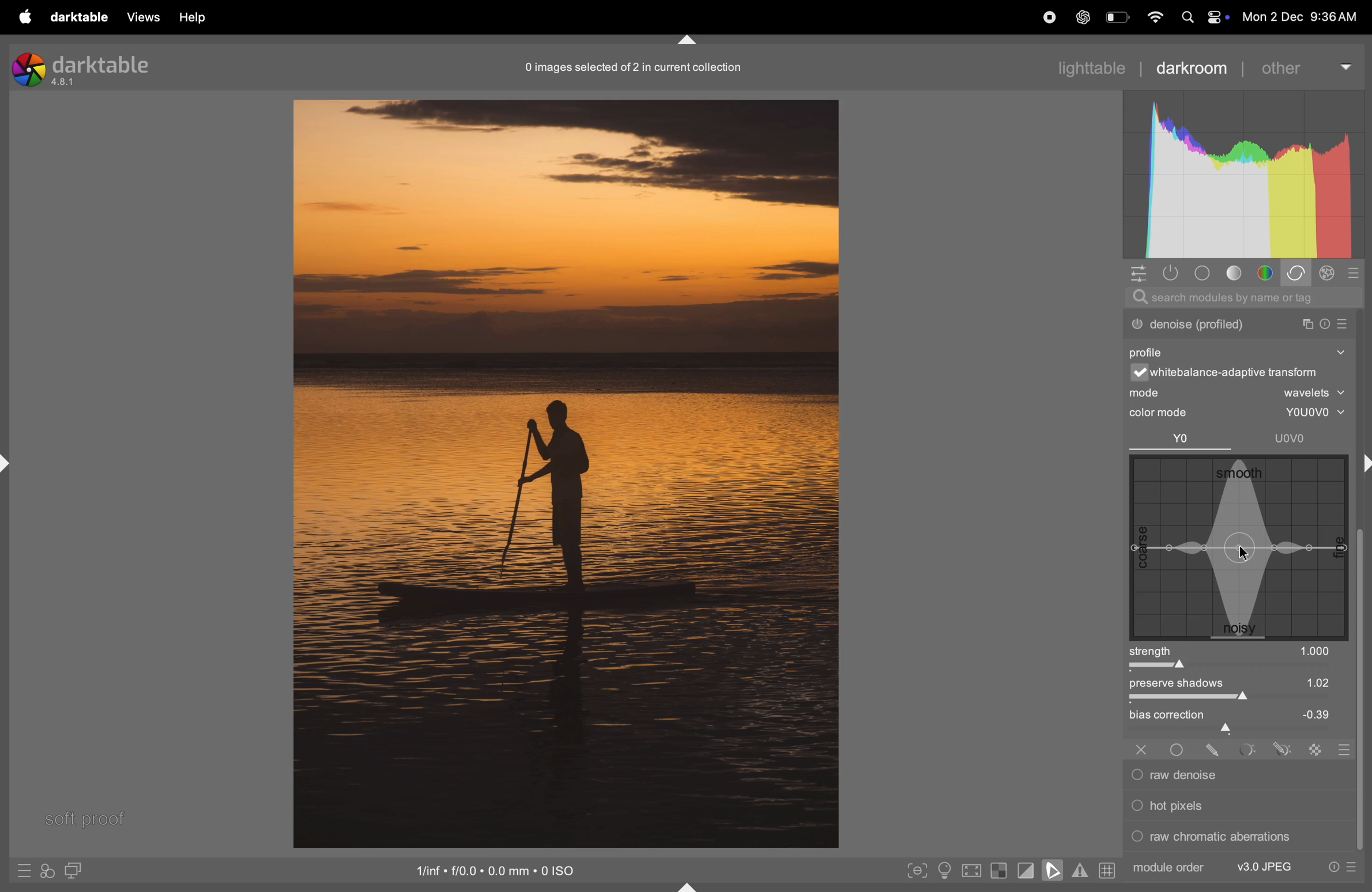  Describe the element at coordinates (1141, 274) in the screenshot. I see `quick acess panel` at that location.